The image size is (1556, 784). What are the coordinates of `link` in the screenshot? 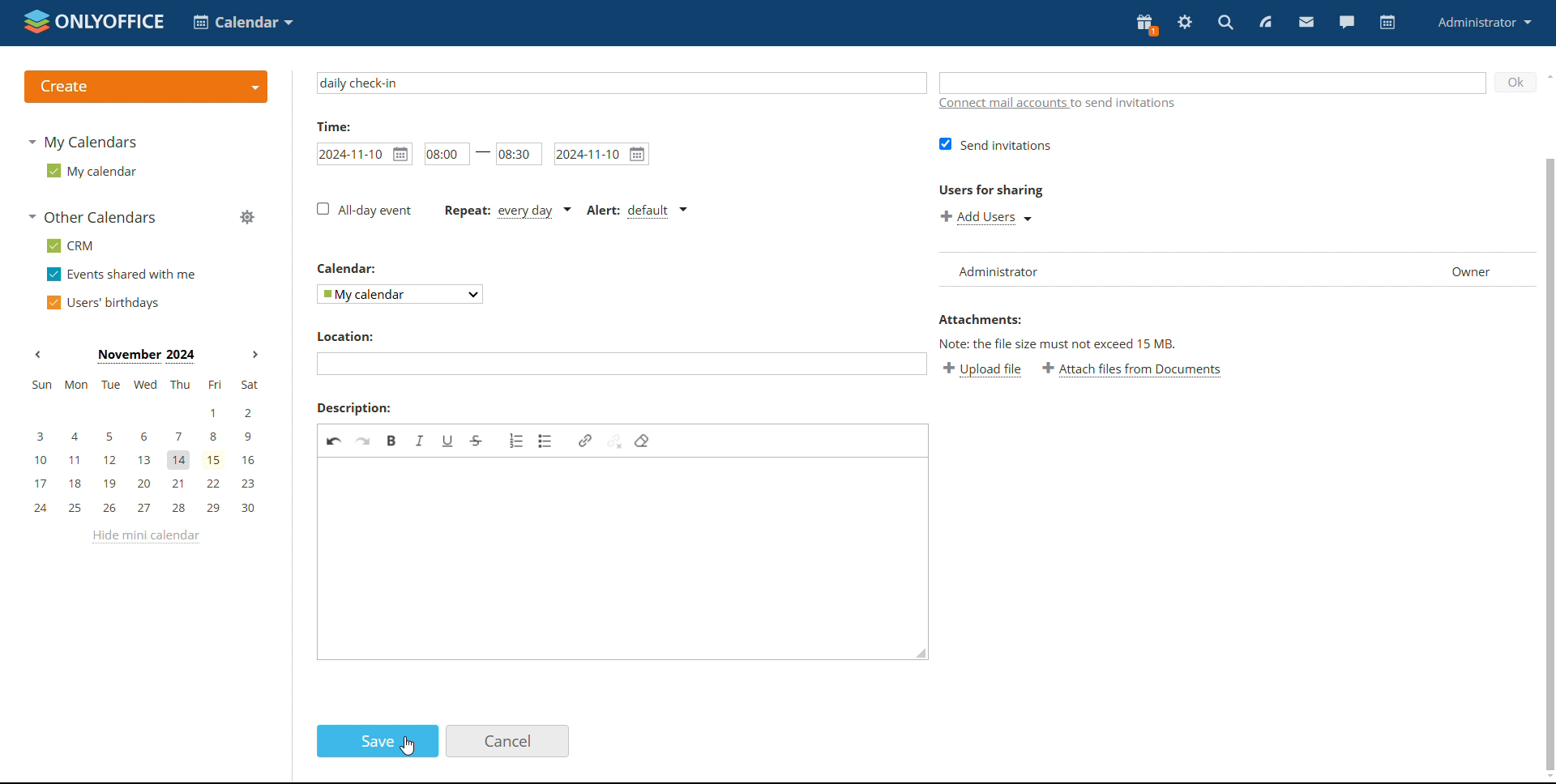 It's located at (583, 435).